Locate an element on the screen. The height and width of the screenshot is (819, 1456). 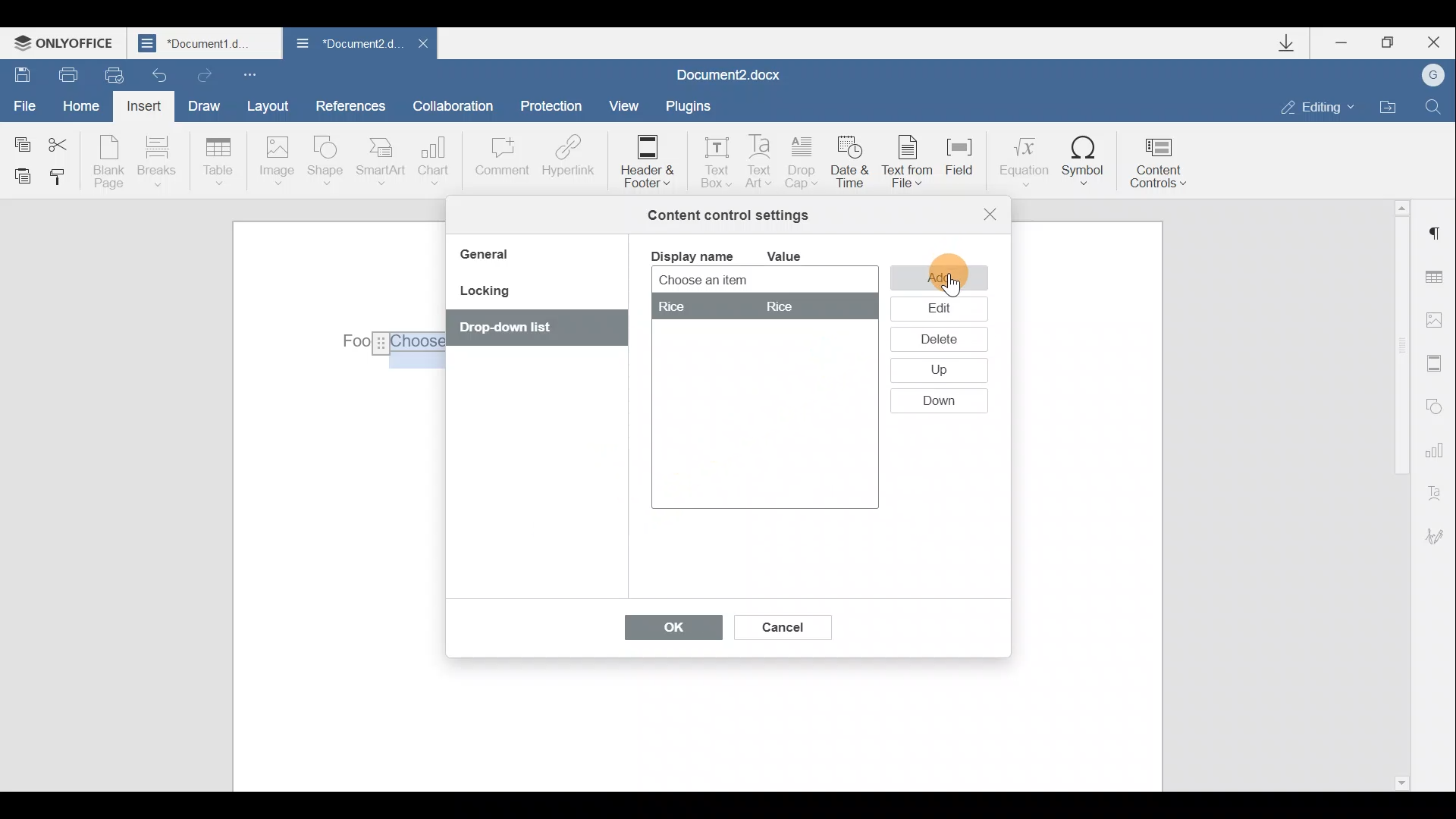
Undo is located at coordinates (161, 71).